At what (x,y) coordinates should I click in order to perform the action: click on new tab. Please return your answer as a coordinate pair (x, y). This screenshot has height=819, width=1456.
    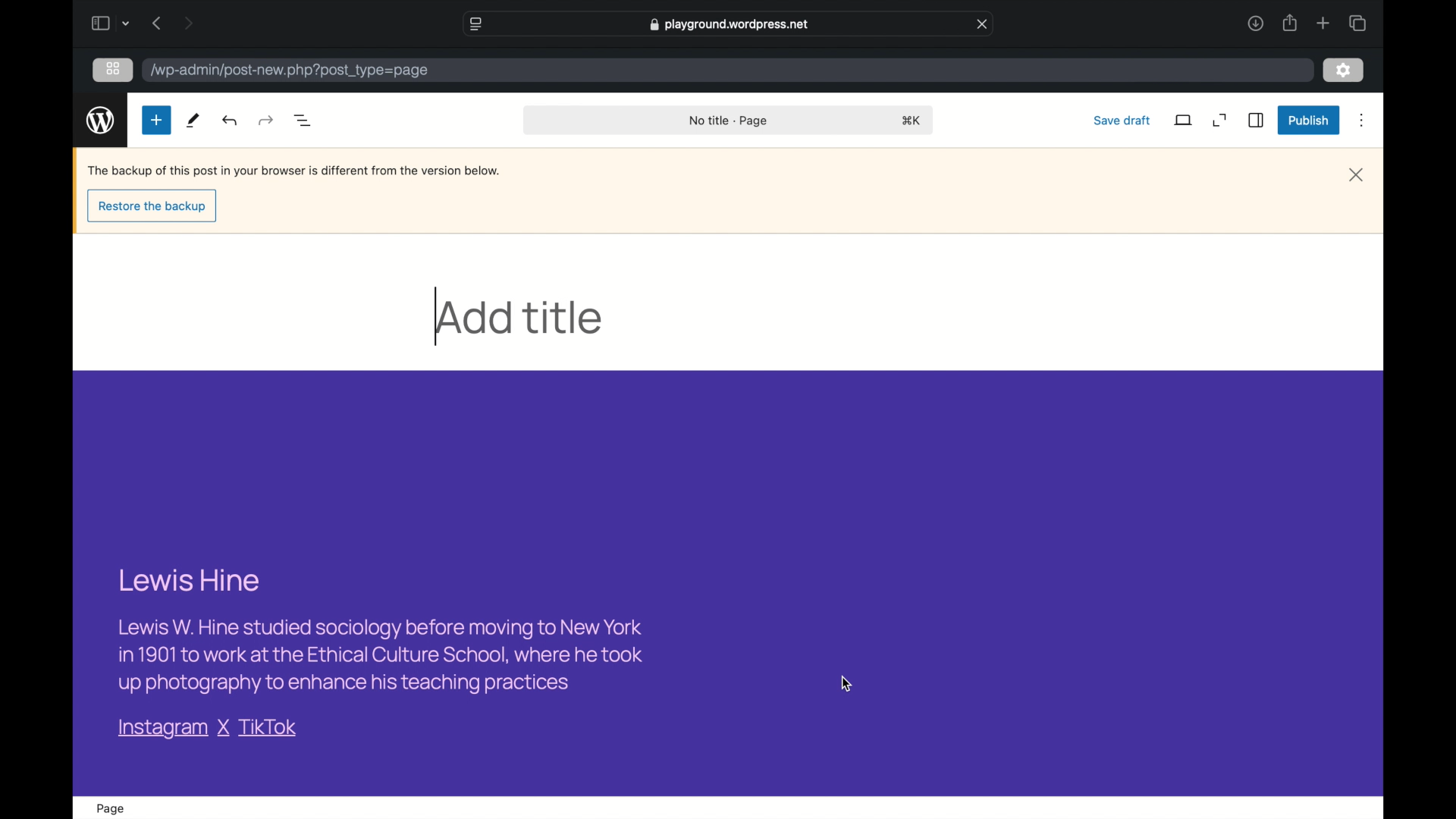
    Looking at the image, I should click on (1323, 24).